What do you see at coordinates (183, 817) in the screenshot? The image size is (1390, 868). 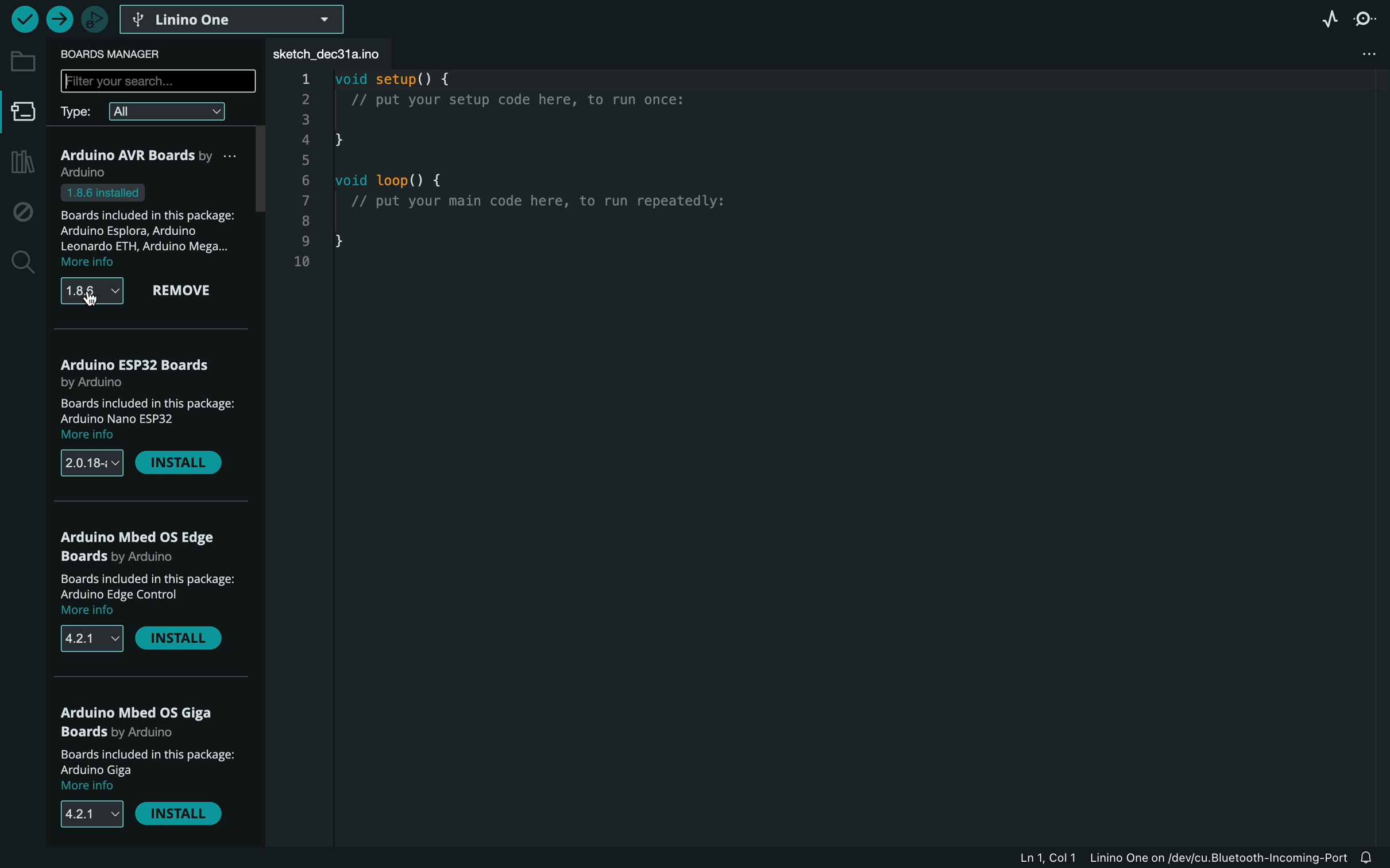 I see `INSTALL` at bounding box center [183, 817].